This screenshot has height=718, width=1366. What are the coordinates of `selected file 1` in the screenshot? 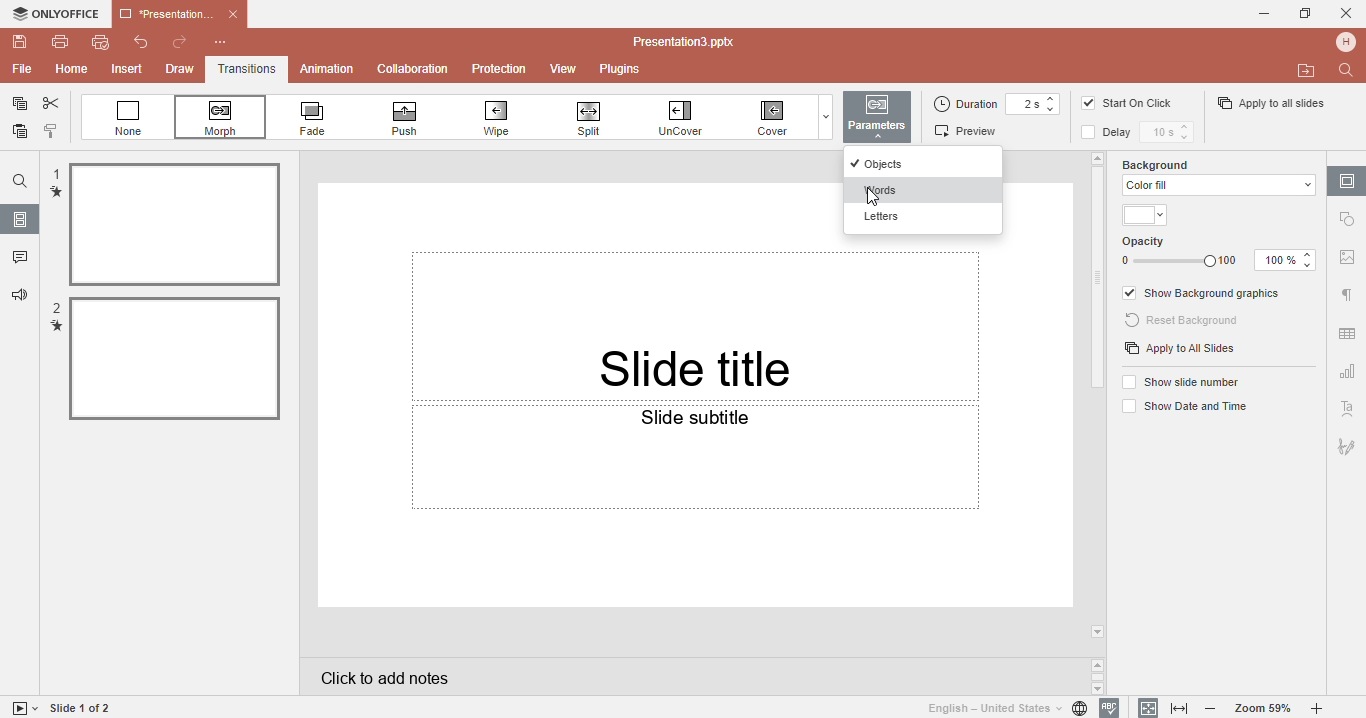 It's located at (174, 225).